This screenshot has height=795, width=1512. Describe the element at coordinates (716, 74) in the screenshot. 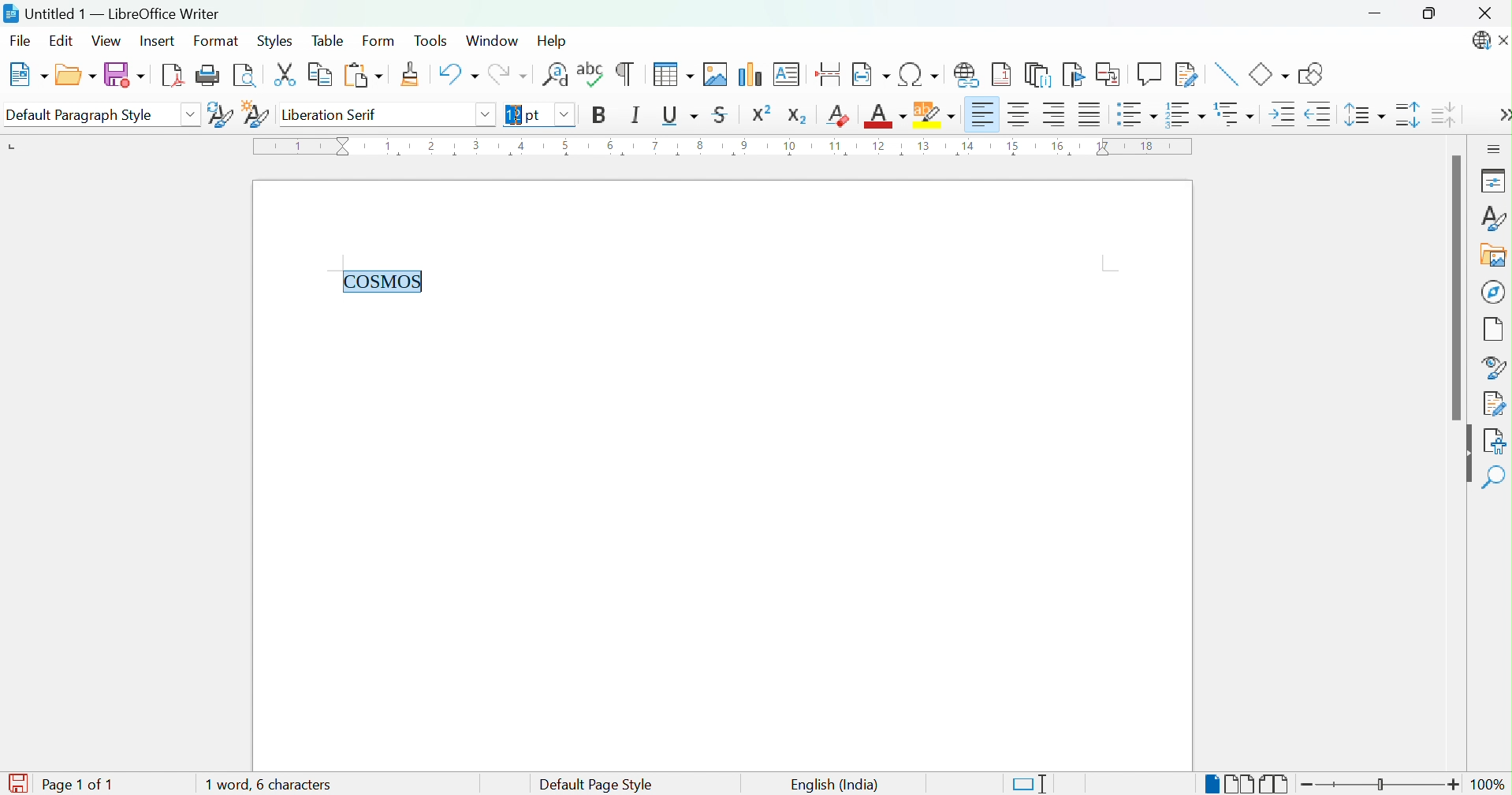

I see `Insert Image` at that location.